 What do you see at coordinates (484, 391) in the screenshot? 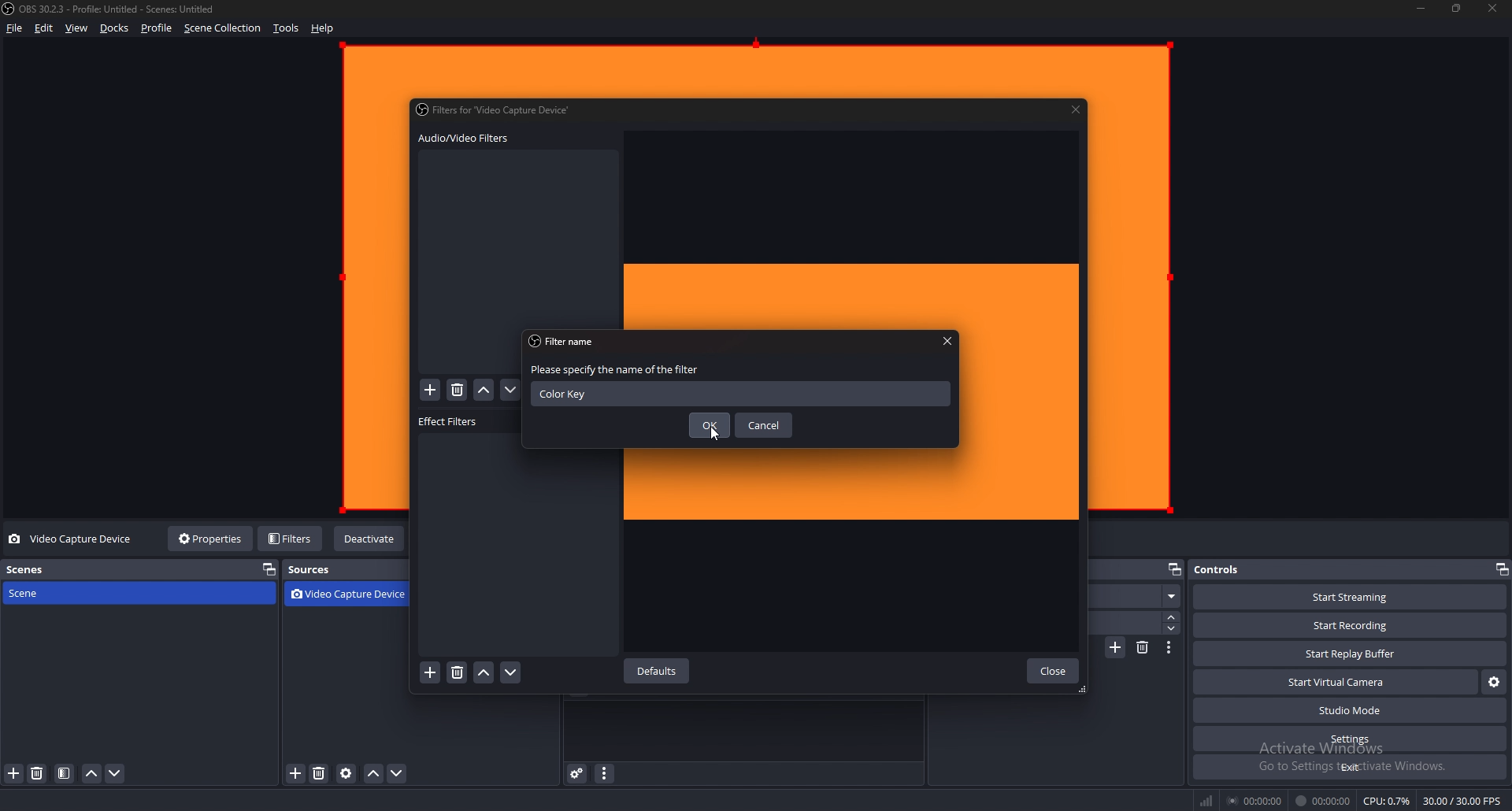
I see `move filter up` at bounding box center [484, 391].